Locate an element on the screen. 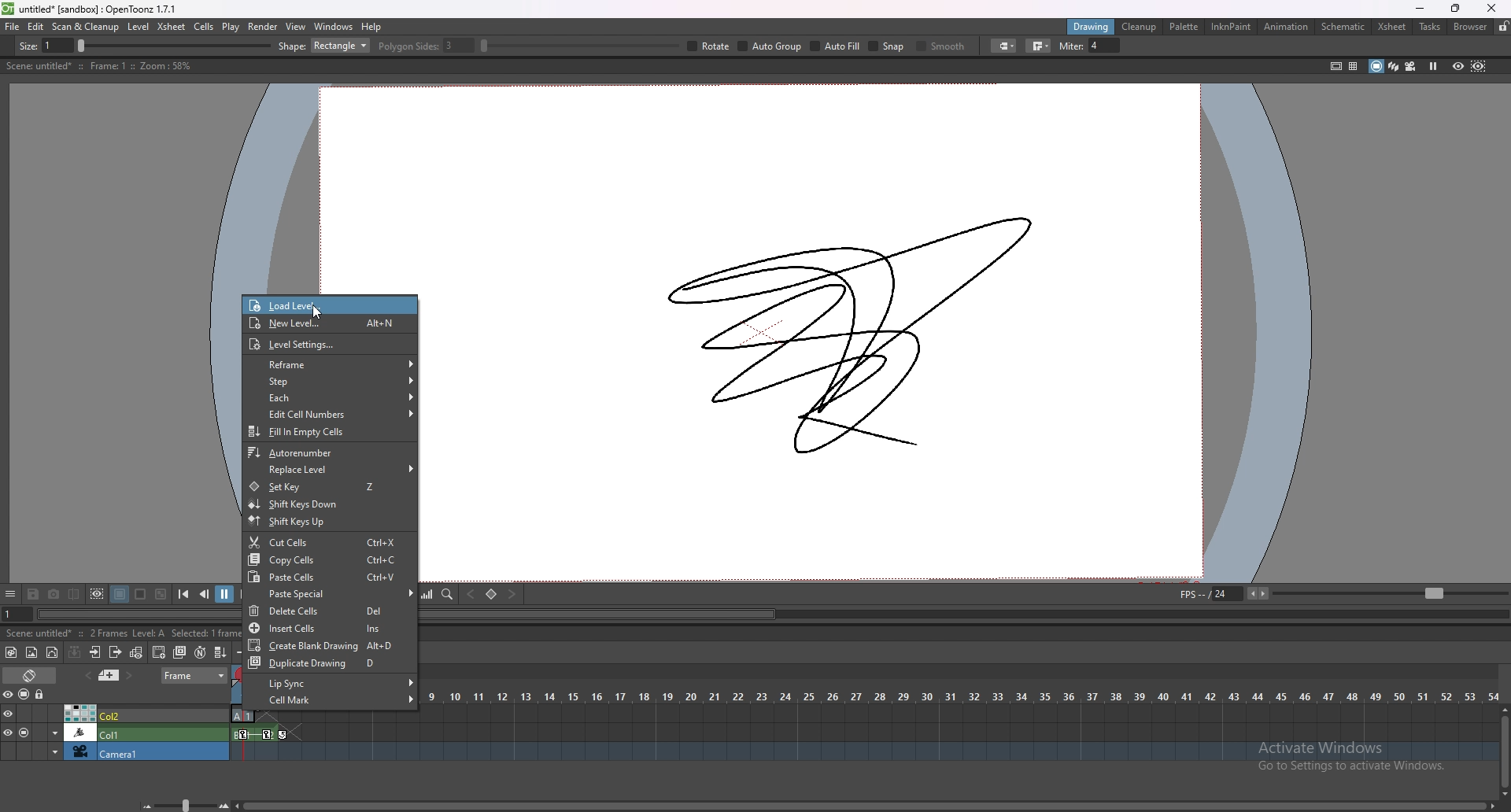 The width and height of the screenshot is (1511, 812). new raster level is located at coordinates (31, 653).